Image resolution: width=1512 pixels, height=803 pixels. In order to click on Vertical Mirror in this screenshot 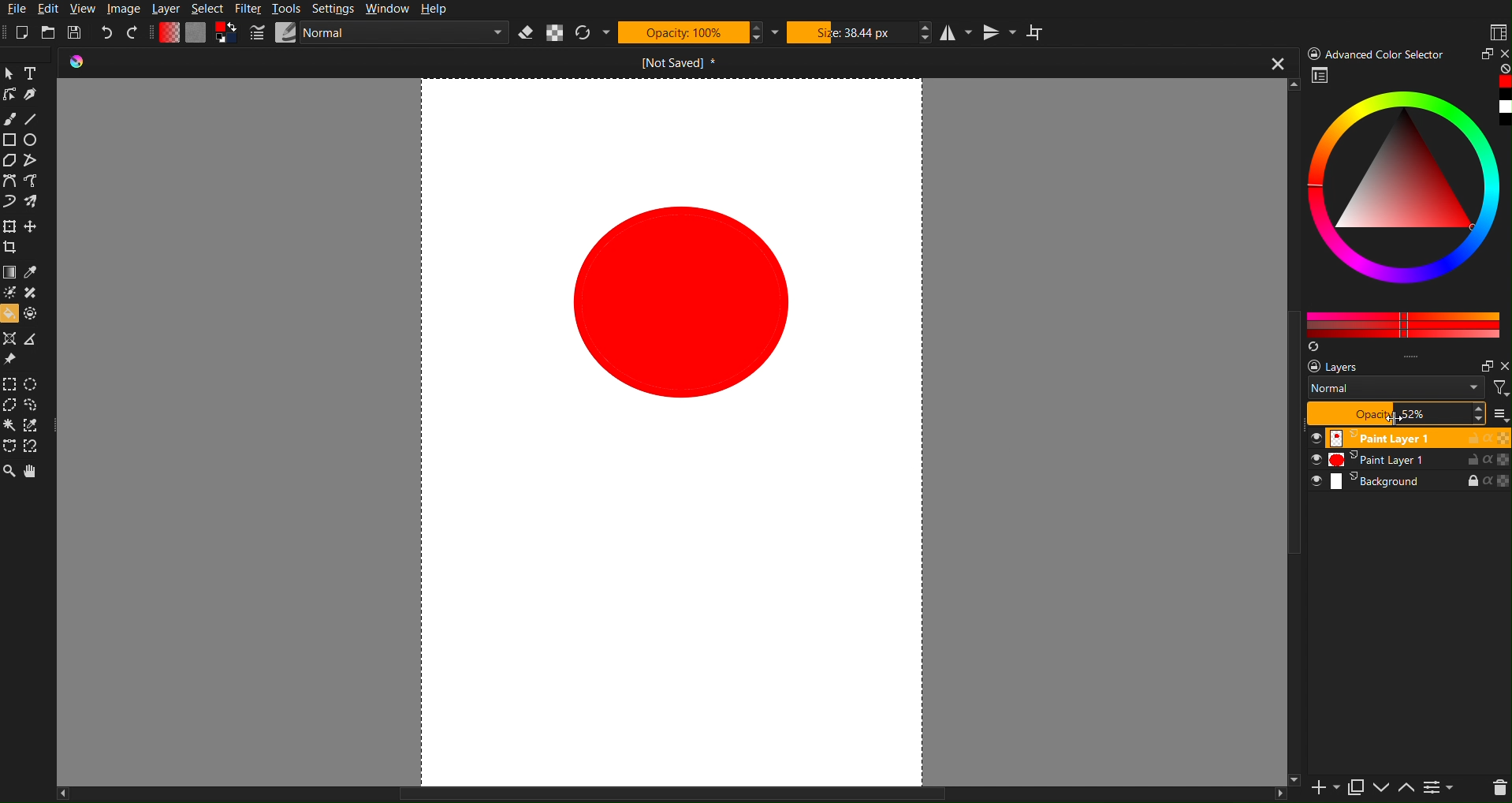, I will do `click(1001, 32)`.